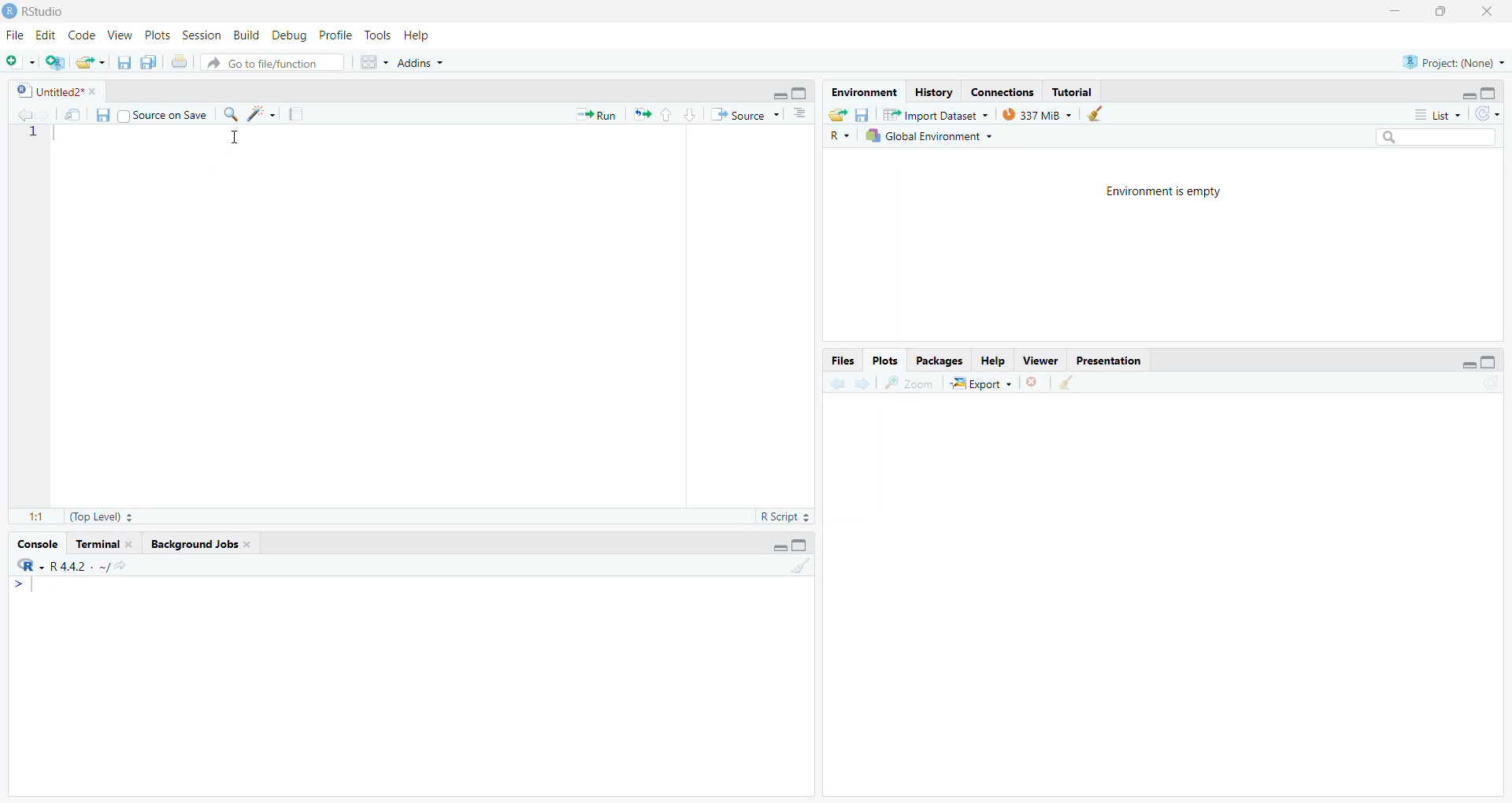  Describe the element at coordinates (1042, 116) in the screenshot. I see `337 mb` at that location.